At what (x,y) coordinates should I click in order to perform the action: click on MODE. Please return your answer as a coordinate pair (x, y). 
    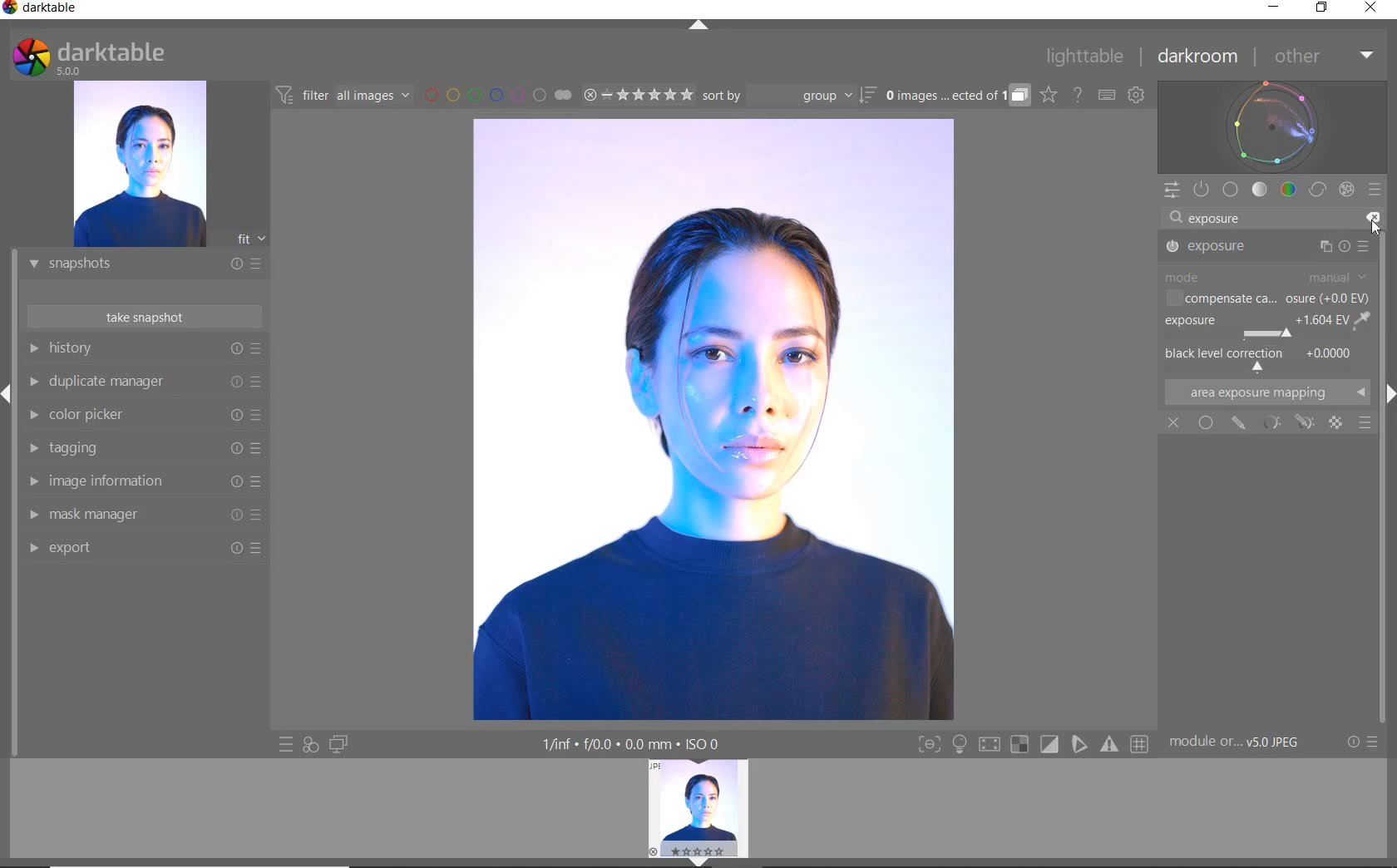
    Looking at the image, I should click on (1266, 277).